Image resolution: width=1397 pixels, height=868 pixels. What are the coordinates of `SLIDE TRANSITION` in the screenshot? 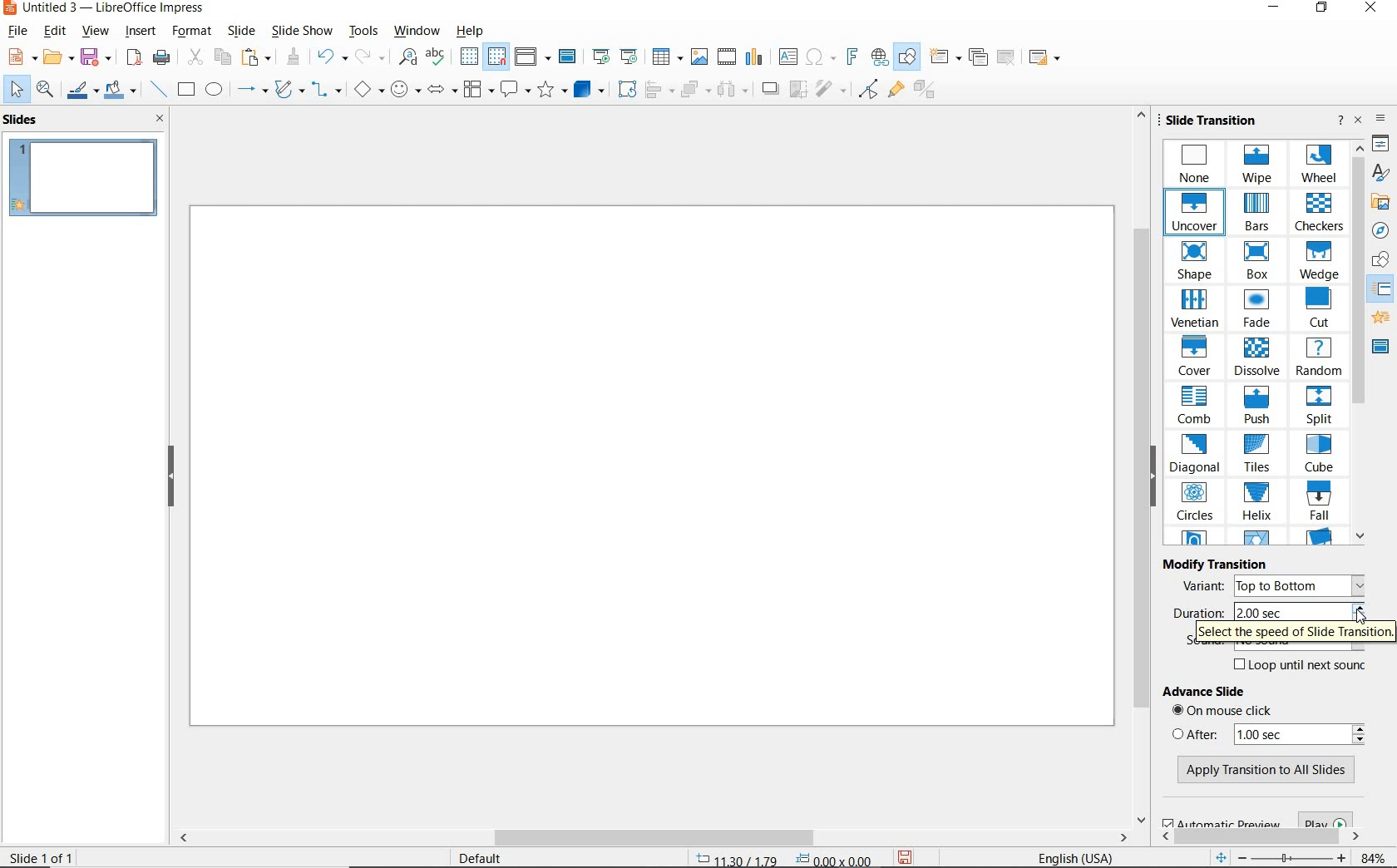 It's located at (1213, 121).